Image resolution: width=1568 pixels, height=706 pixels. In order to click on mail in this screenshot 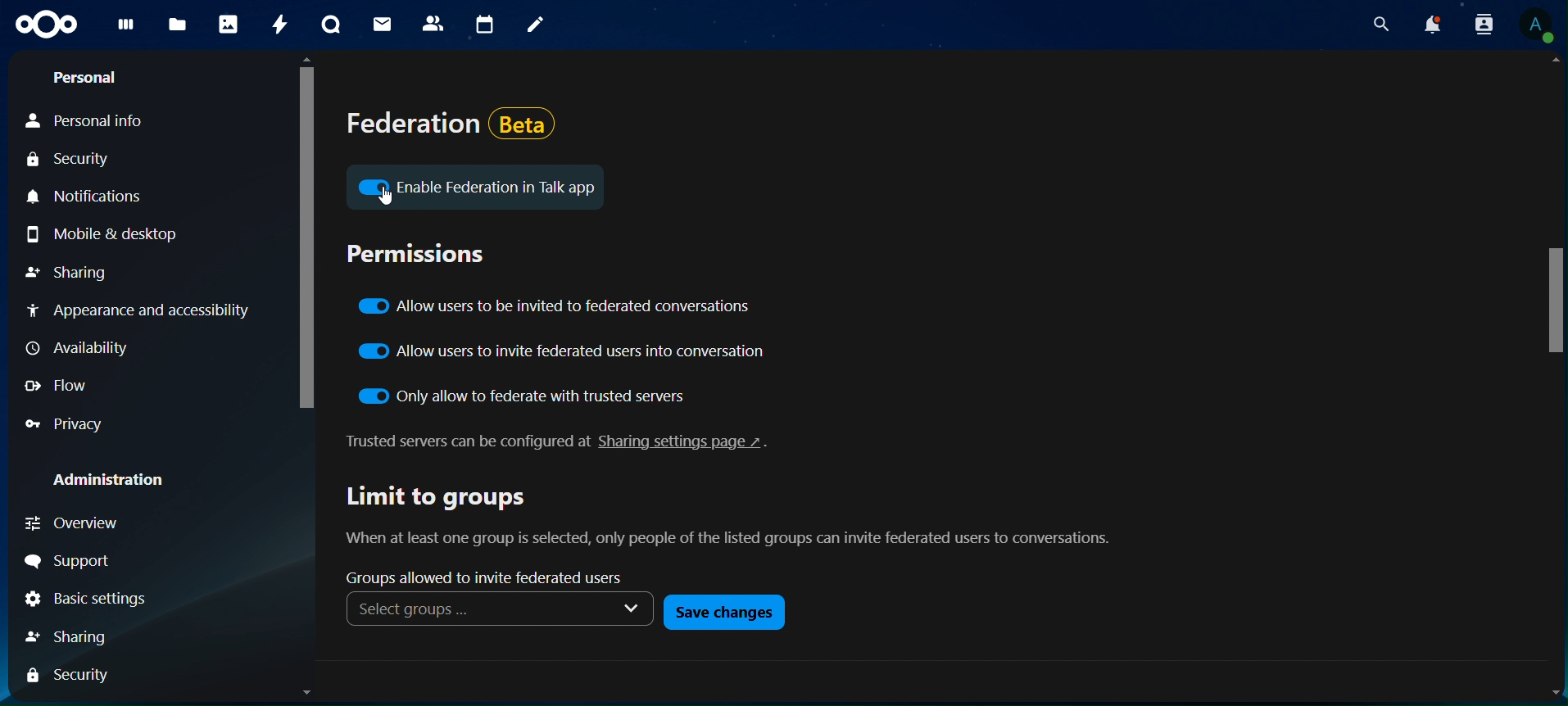, I will do `click(383, 25)`.